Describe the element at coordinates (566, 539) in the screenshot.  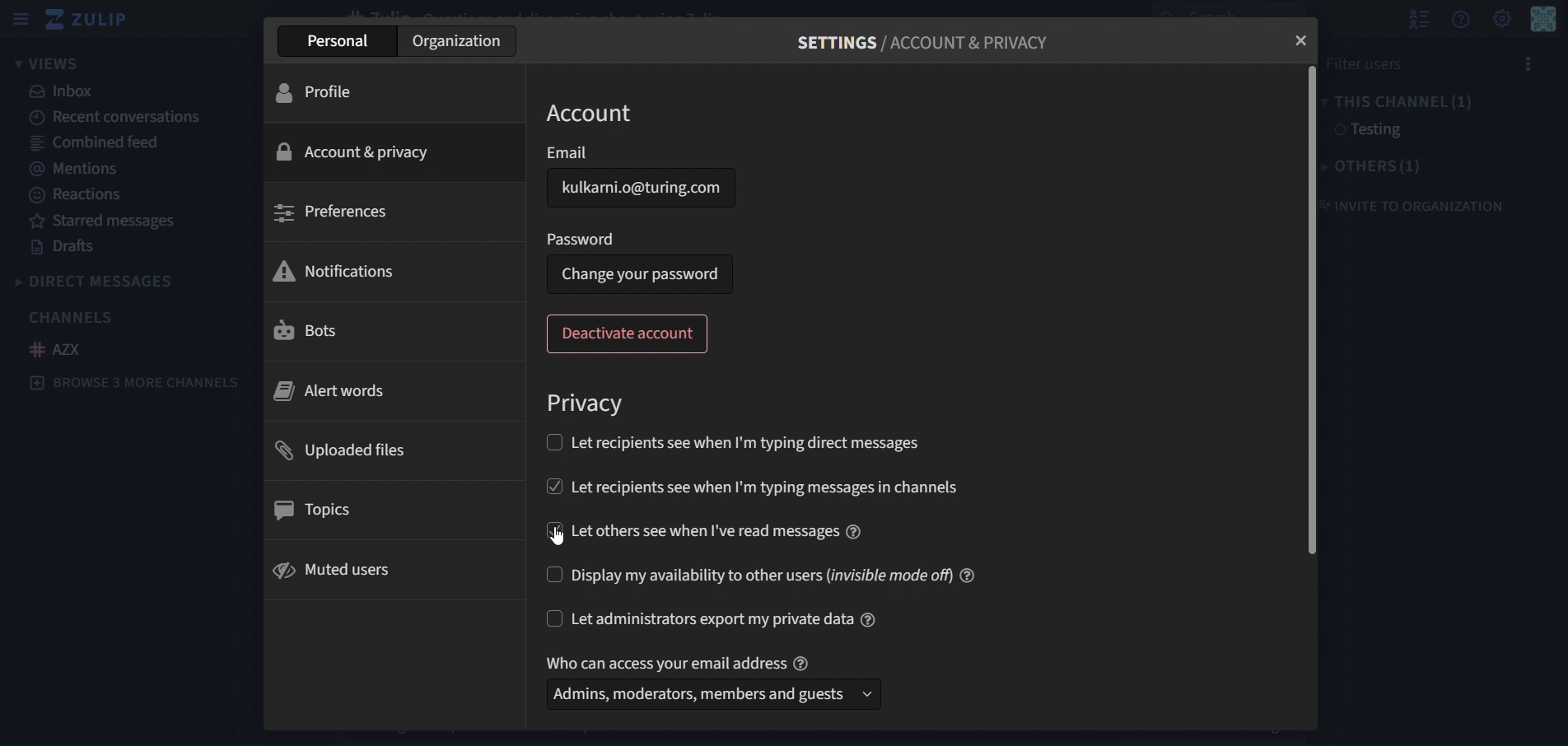
I see `cursor` at that location.